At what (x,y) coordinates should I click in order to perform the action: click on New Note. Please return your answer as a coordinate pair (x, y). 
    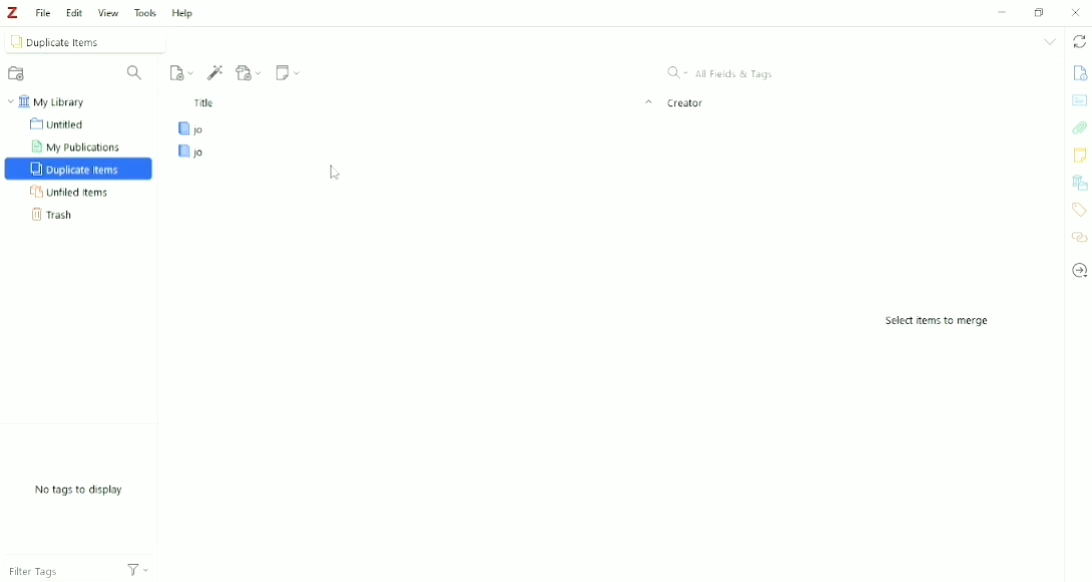
    Looking at the image, I should click on (290, 72).